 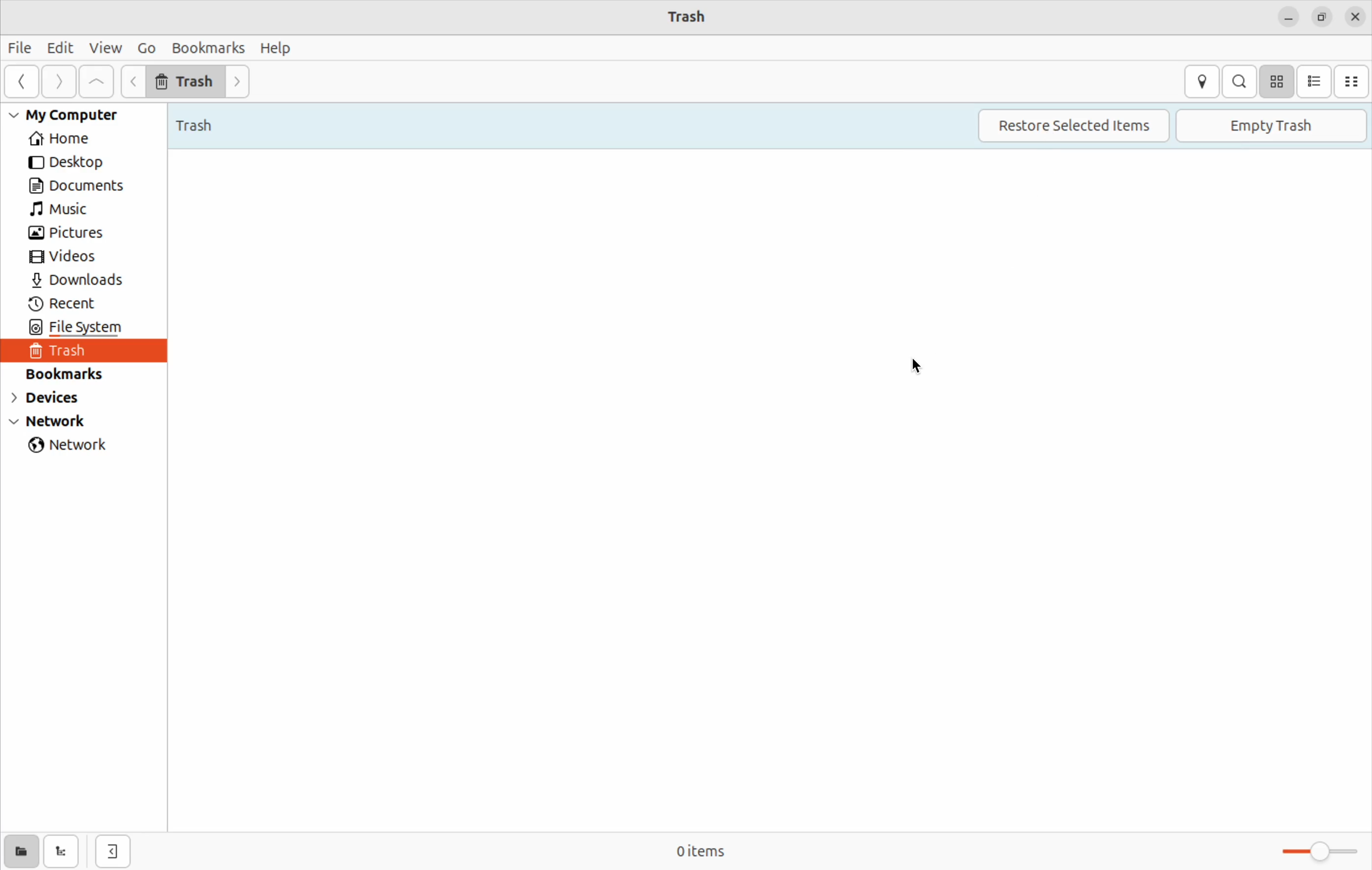 What do you see at coordinates (64, 852) in the screenshot?
I see `show tree view` at bounding box center [64, 852].